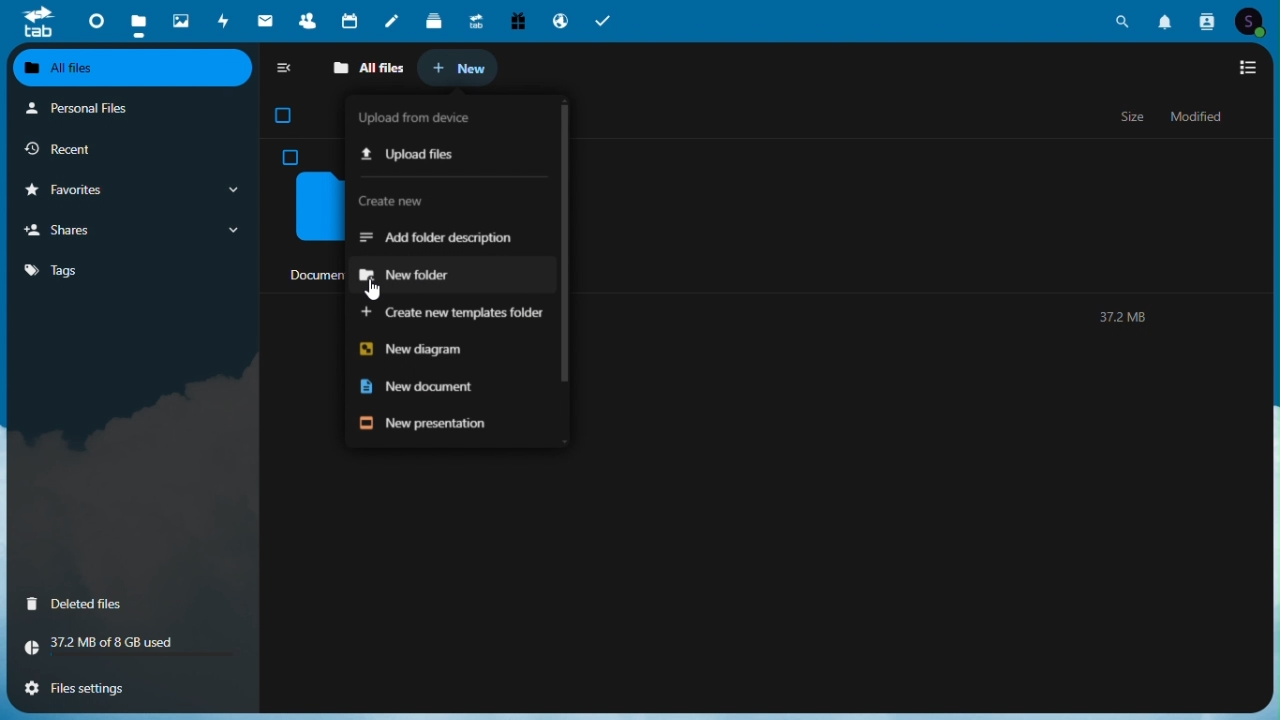 Image resolution: width=1280 pixels, height=720 pixels. Describe the element at coordinates (561, 19) in the screenshot. I see `Email hosting` at that location.